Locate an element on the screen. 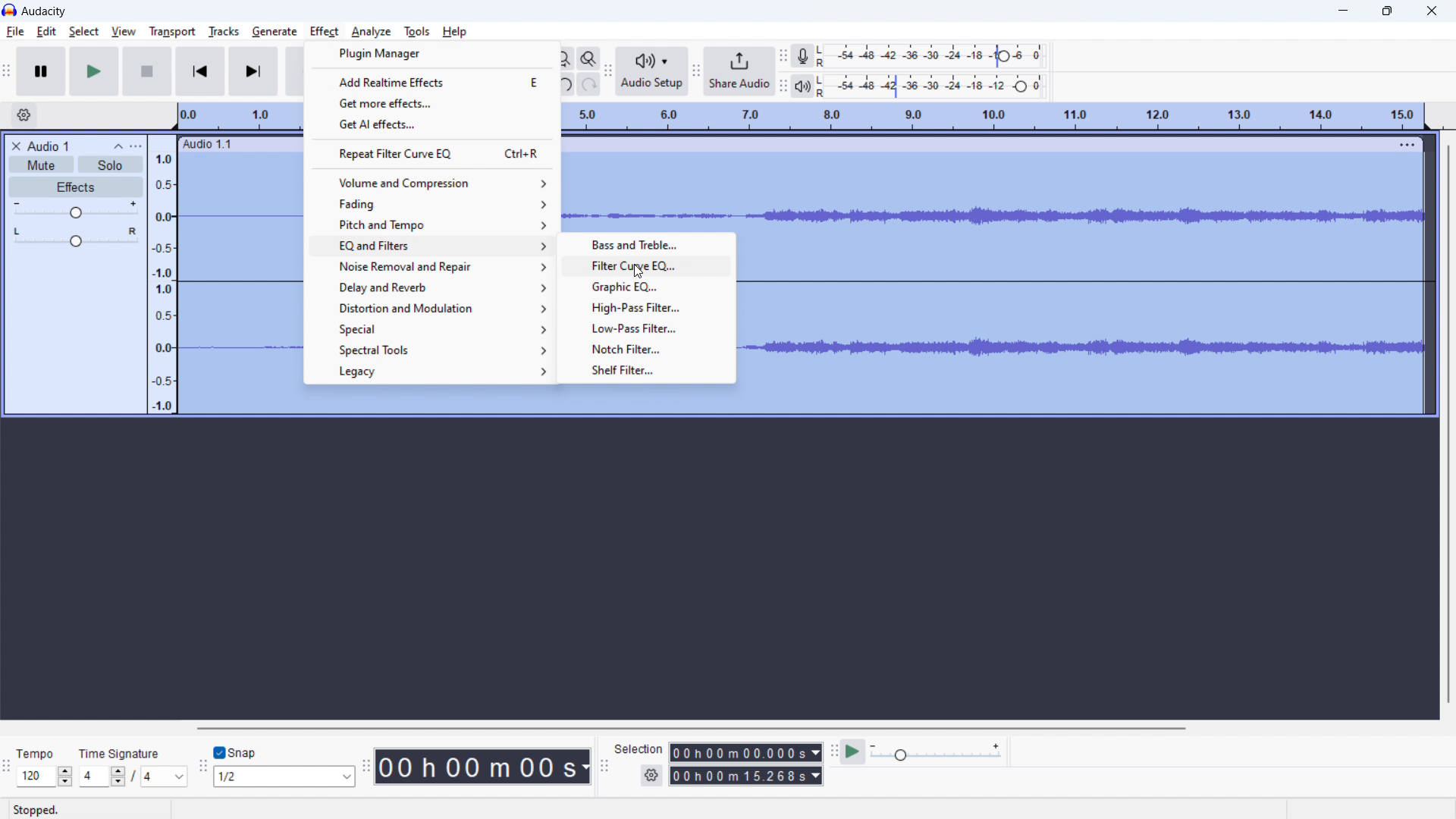 Image resolution: width=1456 pixels, height=819 pixels. settings is located at coordinates (651, 776).